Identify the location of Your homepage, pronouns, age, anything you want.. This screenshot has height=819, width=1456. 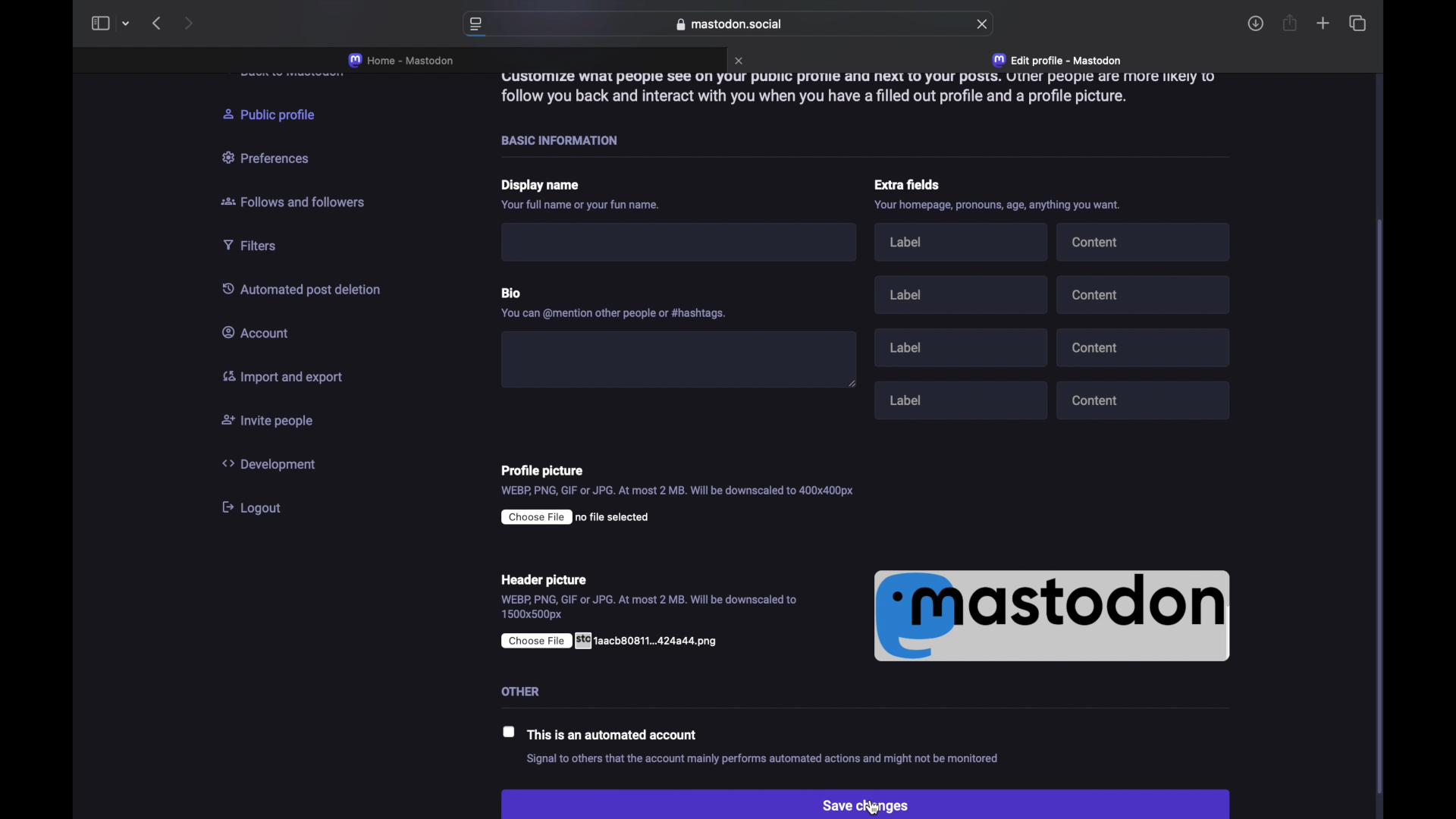
(996, 206).